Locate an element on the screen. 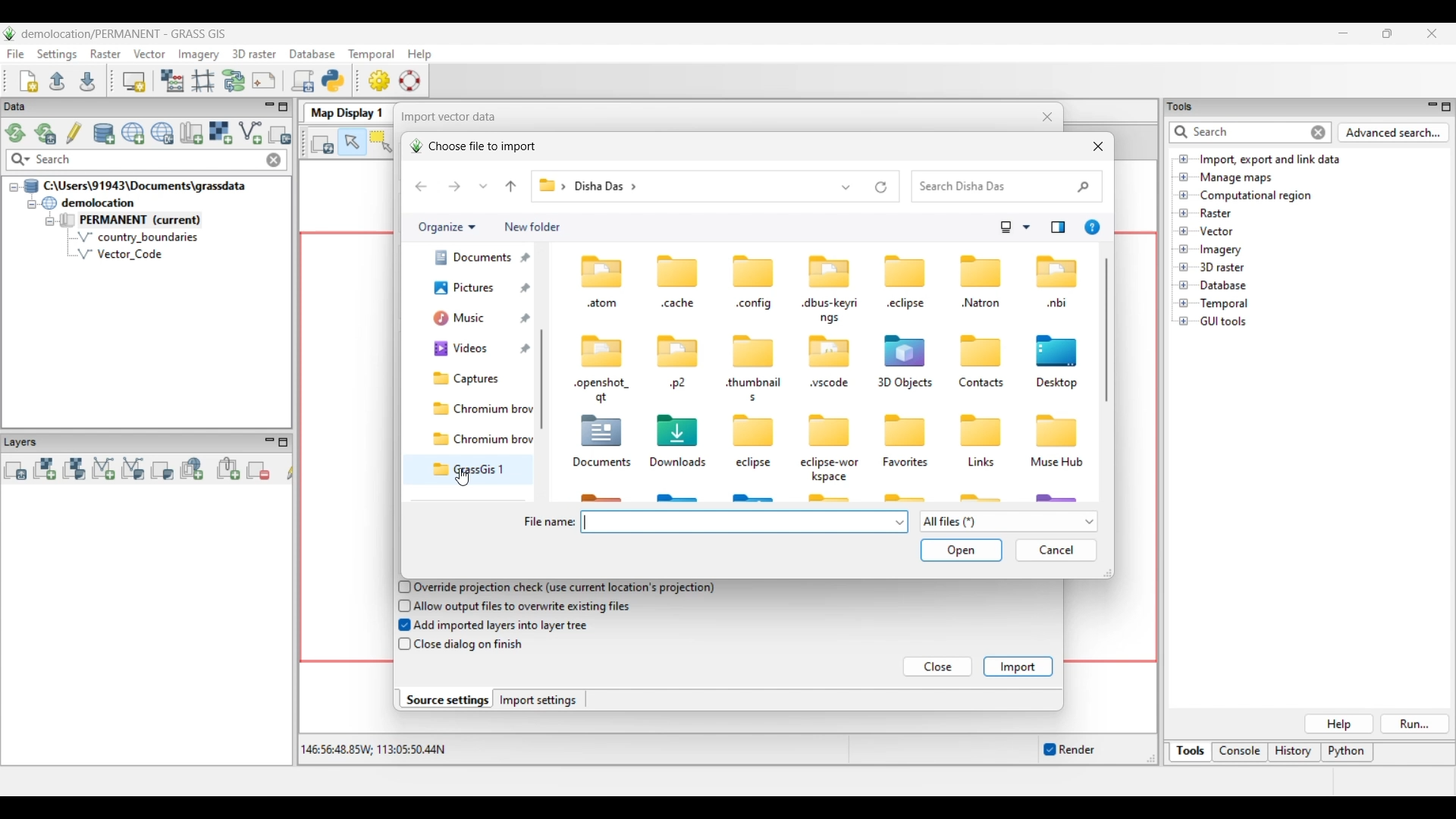 This screenshot has width=1456, height=819. icon is located at coordinates (679, 428).